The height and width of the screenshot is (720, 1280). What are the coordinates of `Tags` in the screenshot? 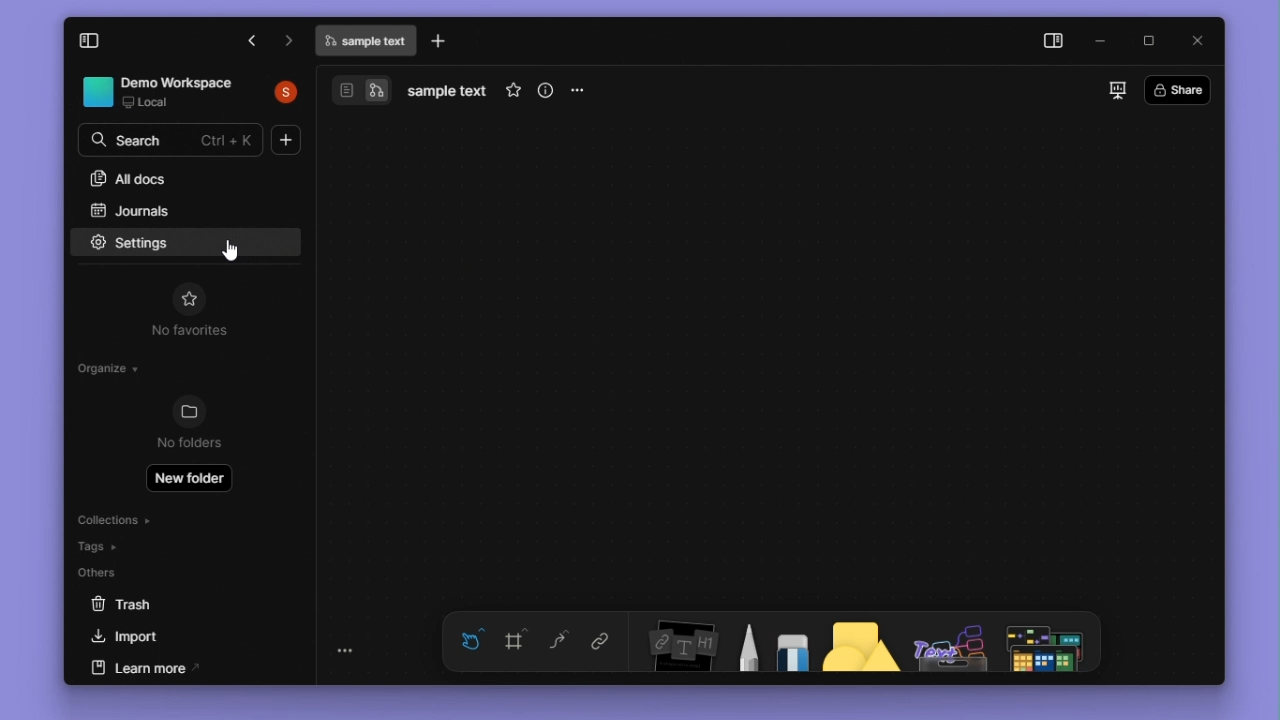 It's located at (150, 547).